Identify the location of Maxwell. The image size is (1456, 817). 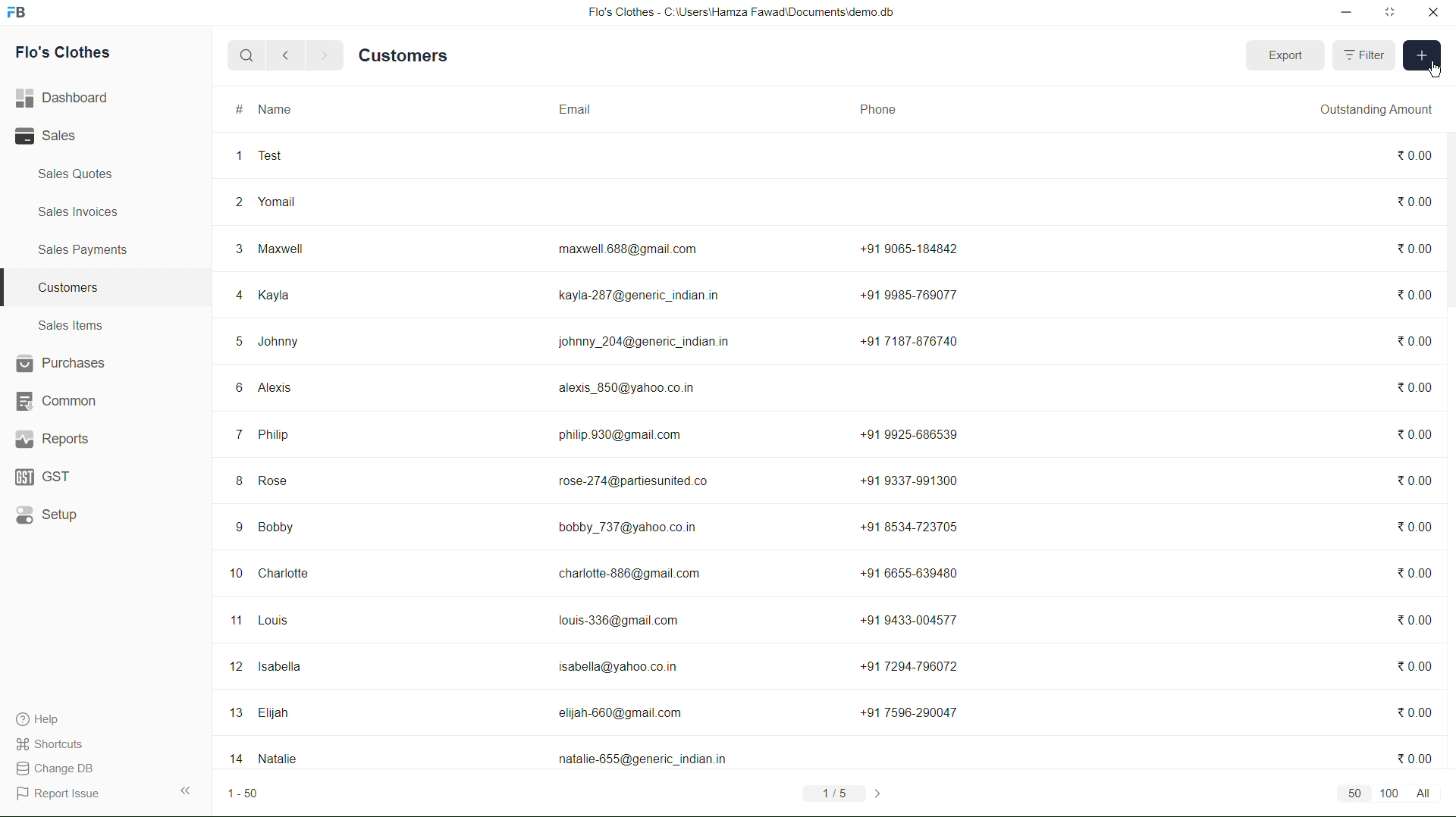
(281, 245).